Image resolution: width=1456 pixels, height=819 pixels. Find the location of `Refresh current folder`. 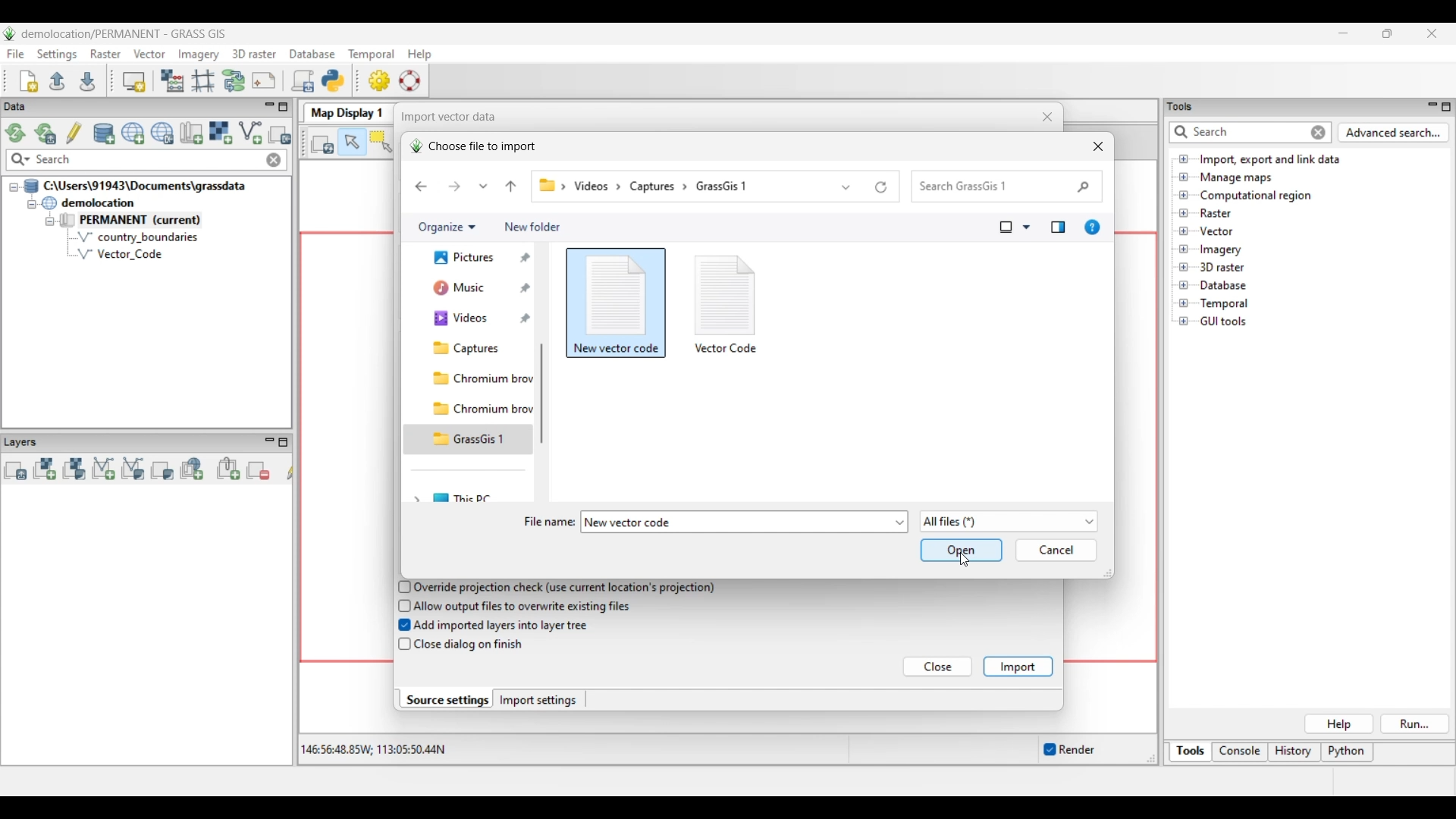

Refresh current folder is located at coordinates (881, 187).